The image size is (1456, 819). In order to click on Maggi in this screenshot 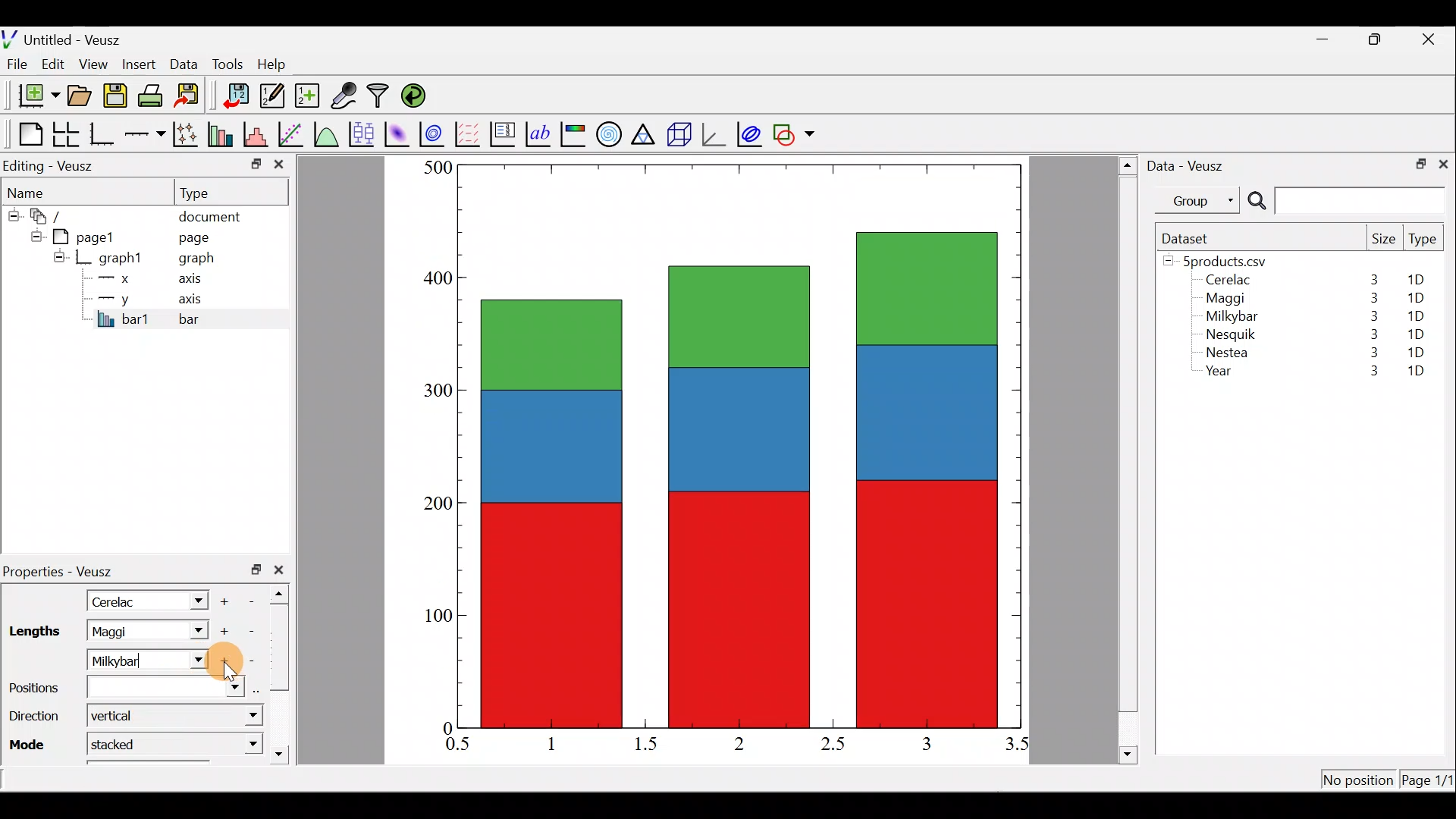, I will do `click(1227, 300)`.